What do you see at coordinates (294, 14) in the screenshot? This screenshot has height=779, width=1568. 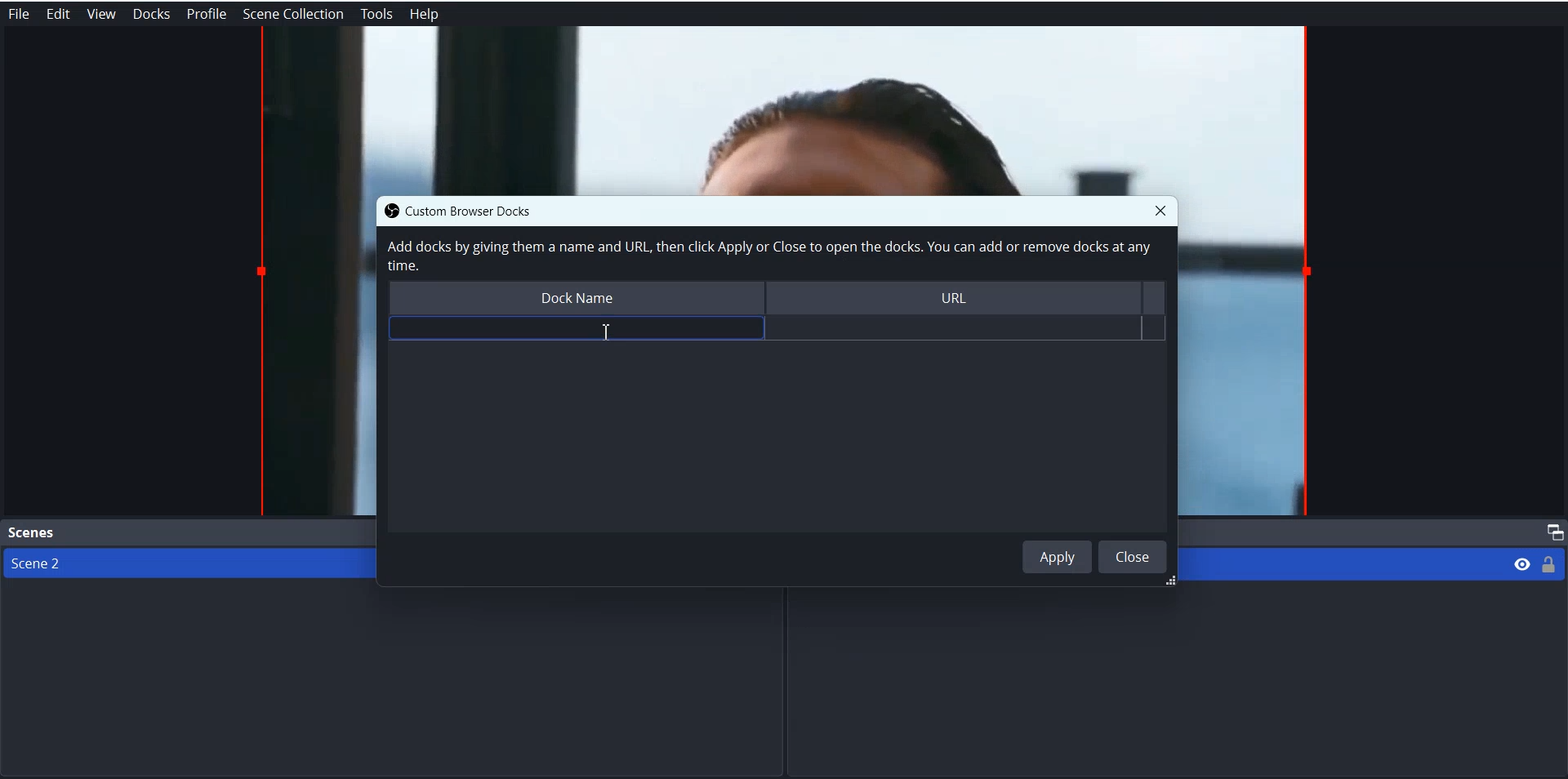 I see `Scene Collection` at bounding box center [294, 14].